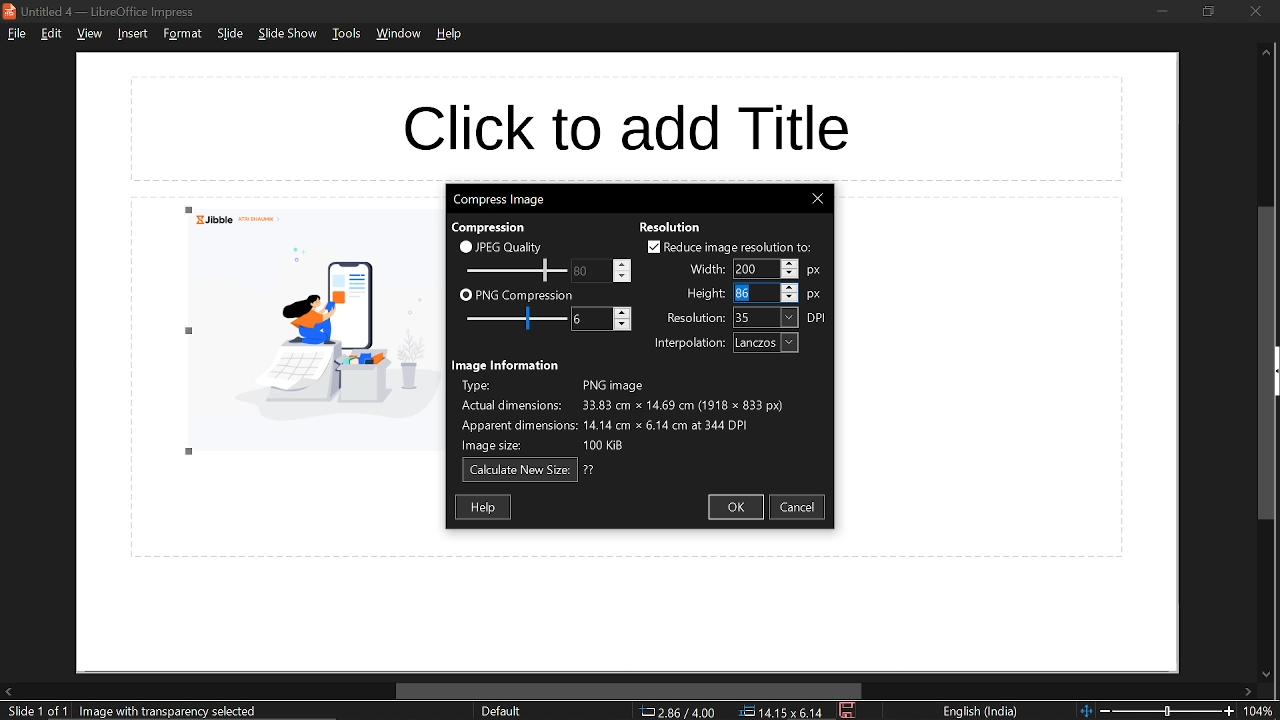 Image resolution: width=1280 pixels, height=720 pixels. What do you see at coordinates (685, 344) in the screenshot?
I see `interpolation` at bounding box center [685, 344].